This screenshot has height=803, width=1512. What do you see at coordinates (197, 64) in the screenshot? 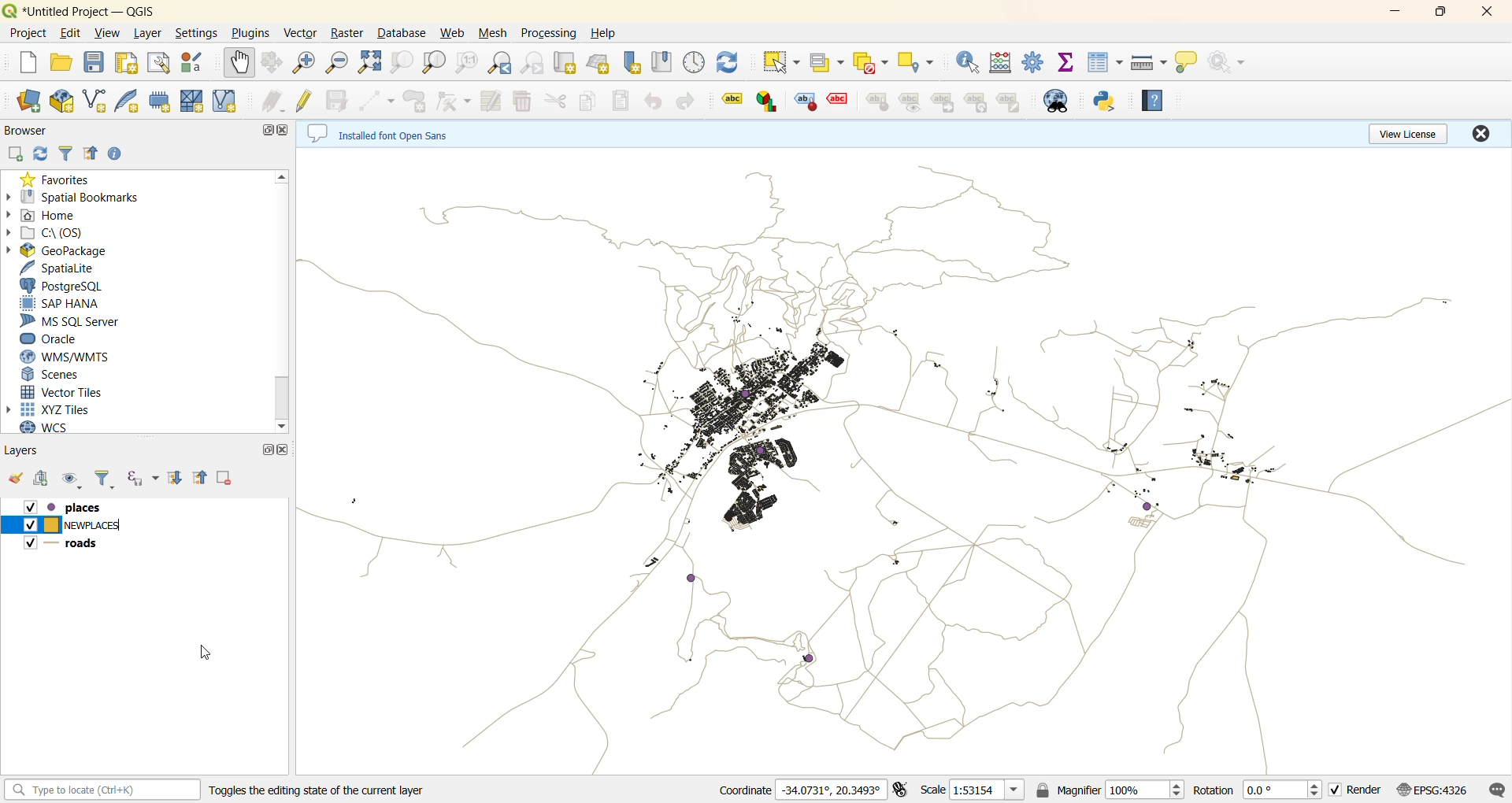
I see `style manager` at bounding box center [197, 64].